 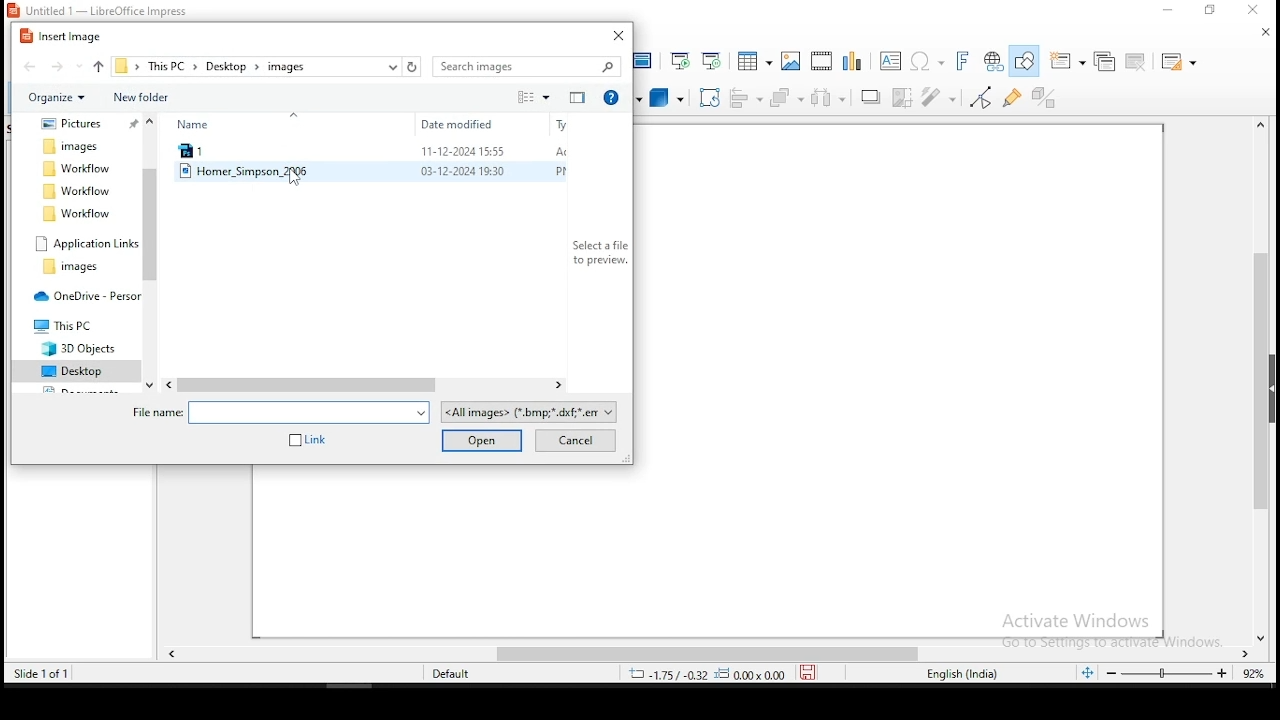 What do you see at coordinates (534, 97) in the screenshot?
I see `view` at bounding box center [534, 97].